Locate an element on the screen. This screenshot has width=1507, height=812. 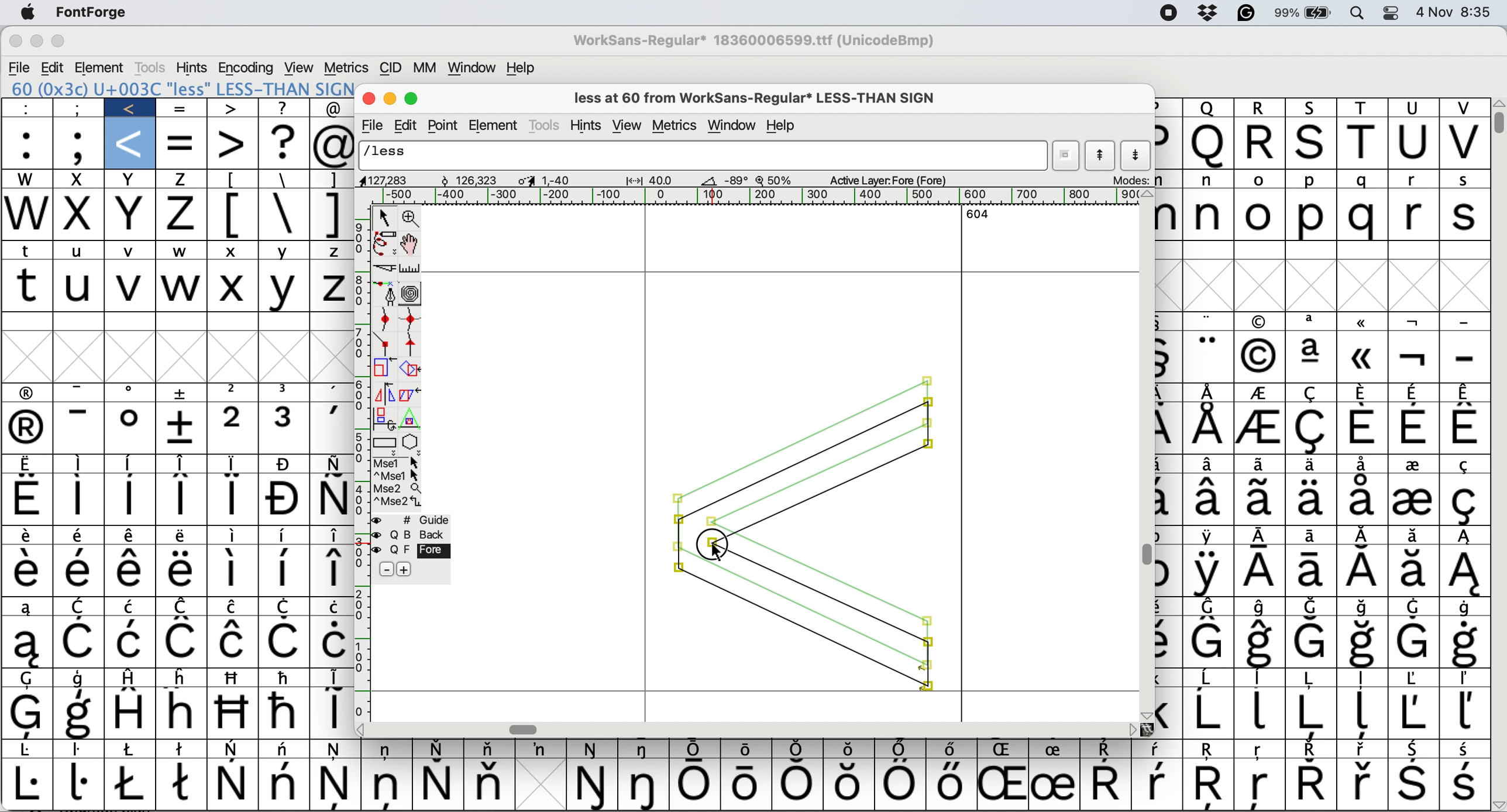
symbo is located at coordinates (332, 677).